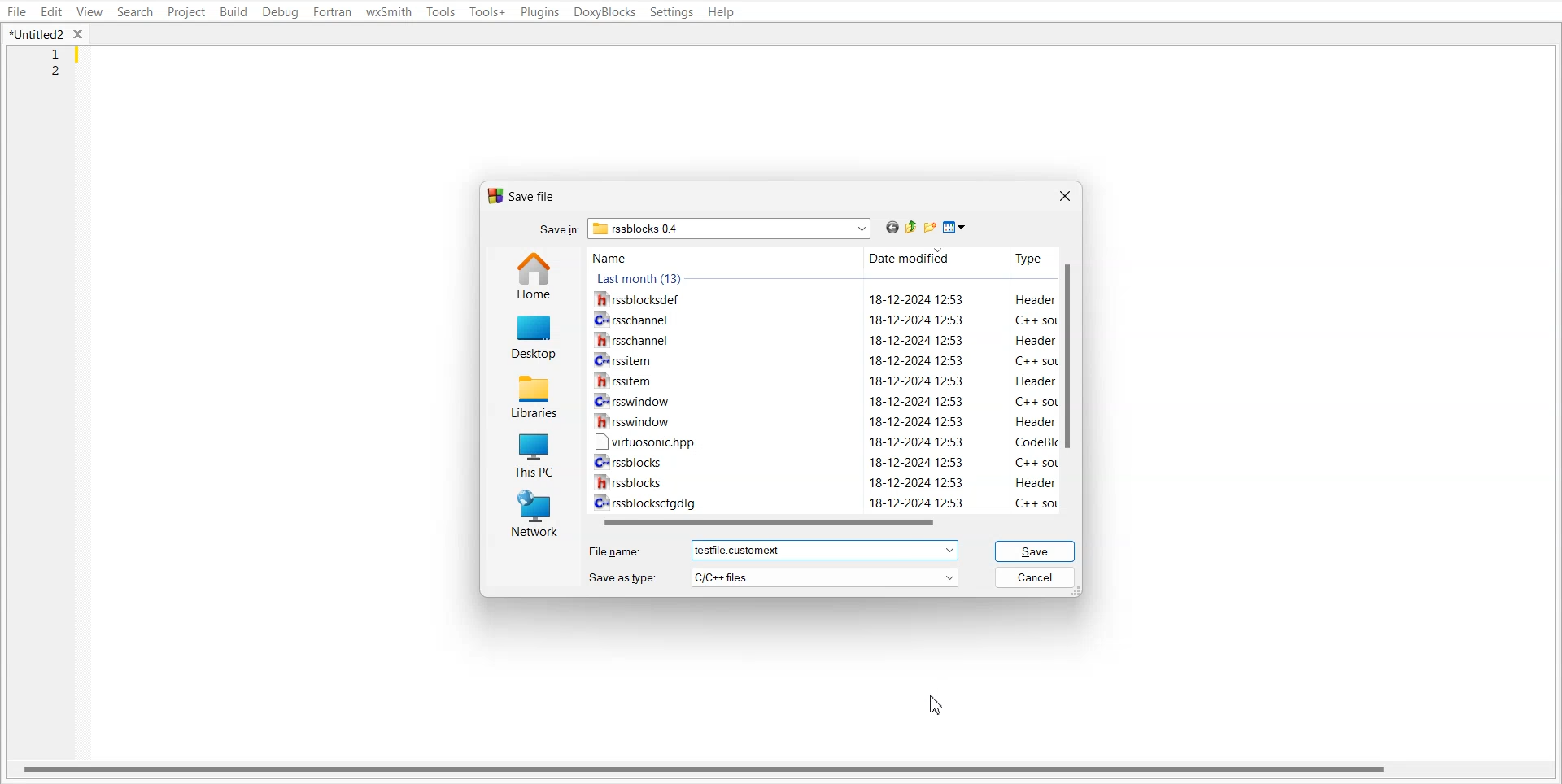 This screenshot has width=1562, height=784. I want to click on Folder, so click(47, 33).